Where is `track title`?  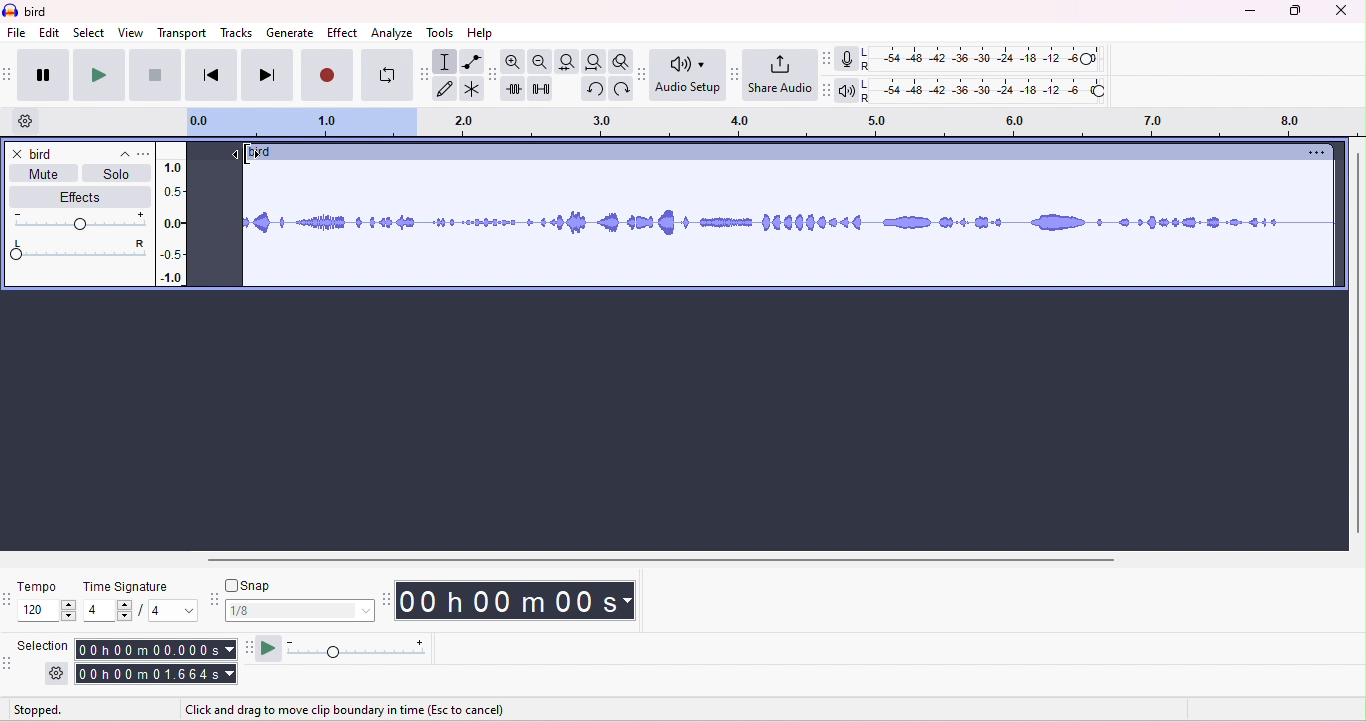
track title is located at coordinates (260, 153).